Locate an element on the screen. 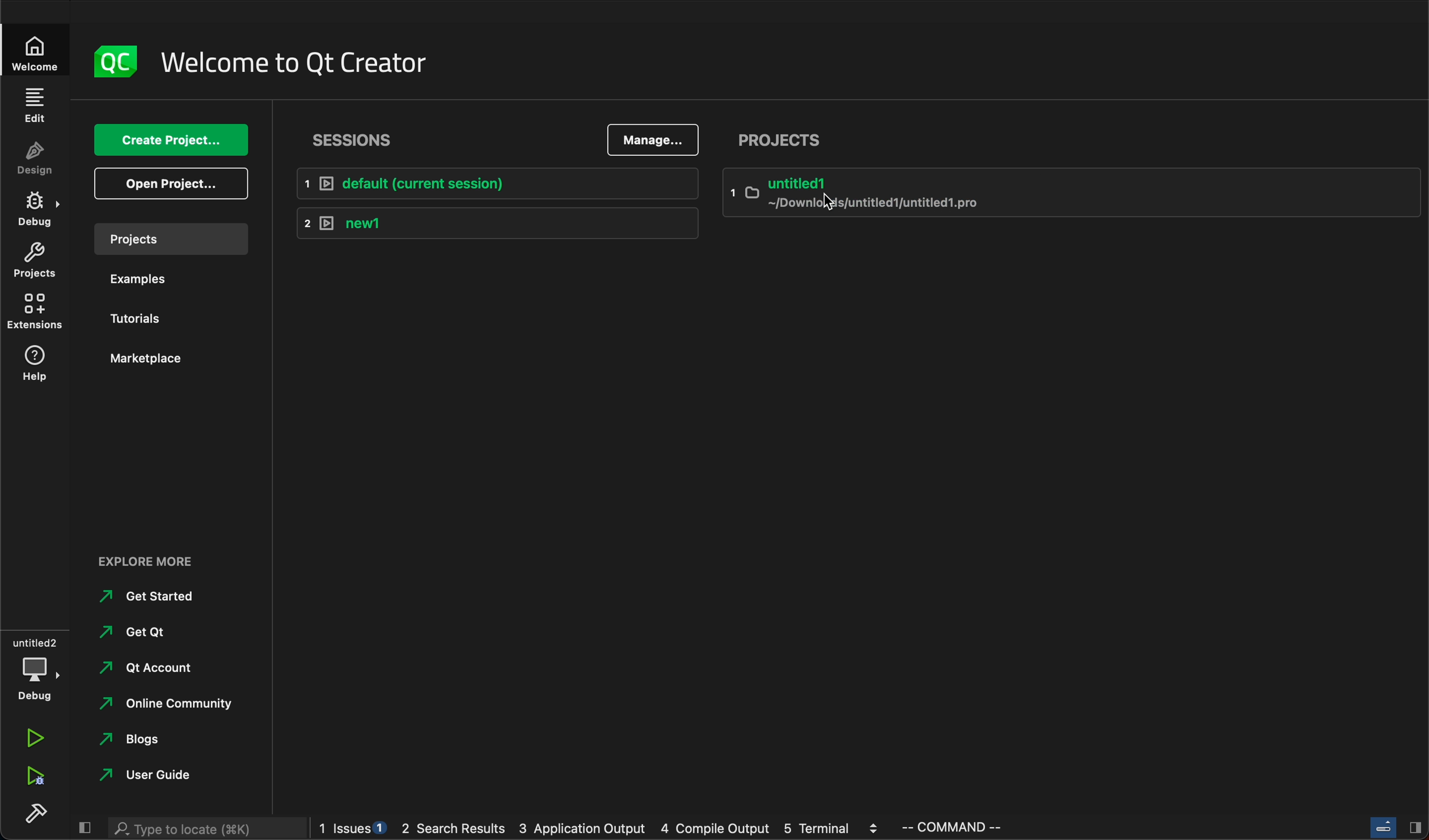 This screenshot has height=840, width=1429. debug is located at coordinates (38, 207).